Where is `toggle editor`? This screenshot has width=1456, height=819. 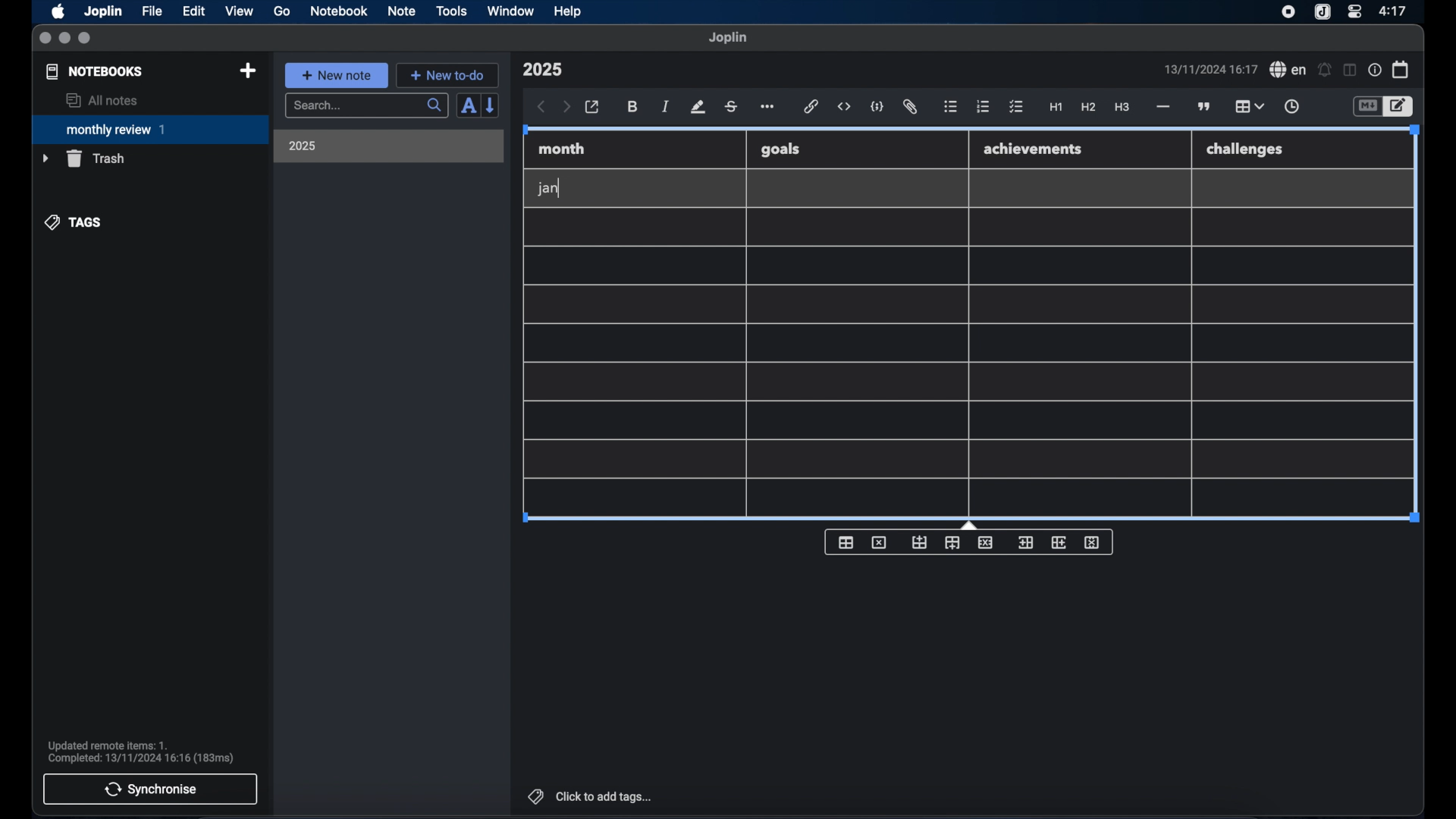
toggle editor is located at coordinates (1367, 107).